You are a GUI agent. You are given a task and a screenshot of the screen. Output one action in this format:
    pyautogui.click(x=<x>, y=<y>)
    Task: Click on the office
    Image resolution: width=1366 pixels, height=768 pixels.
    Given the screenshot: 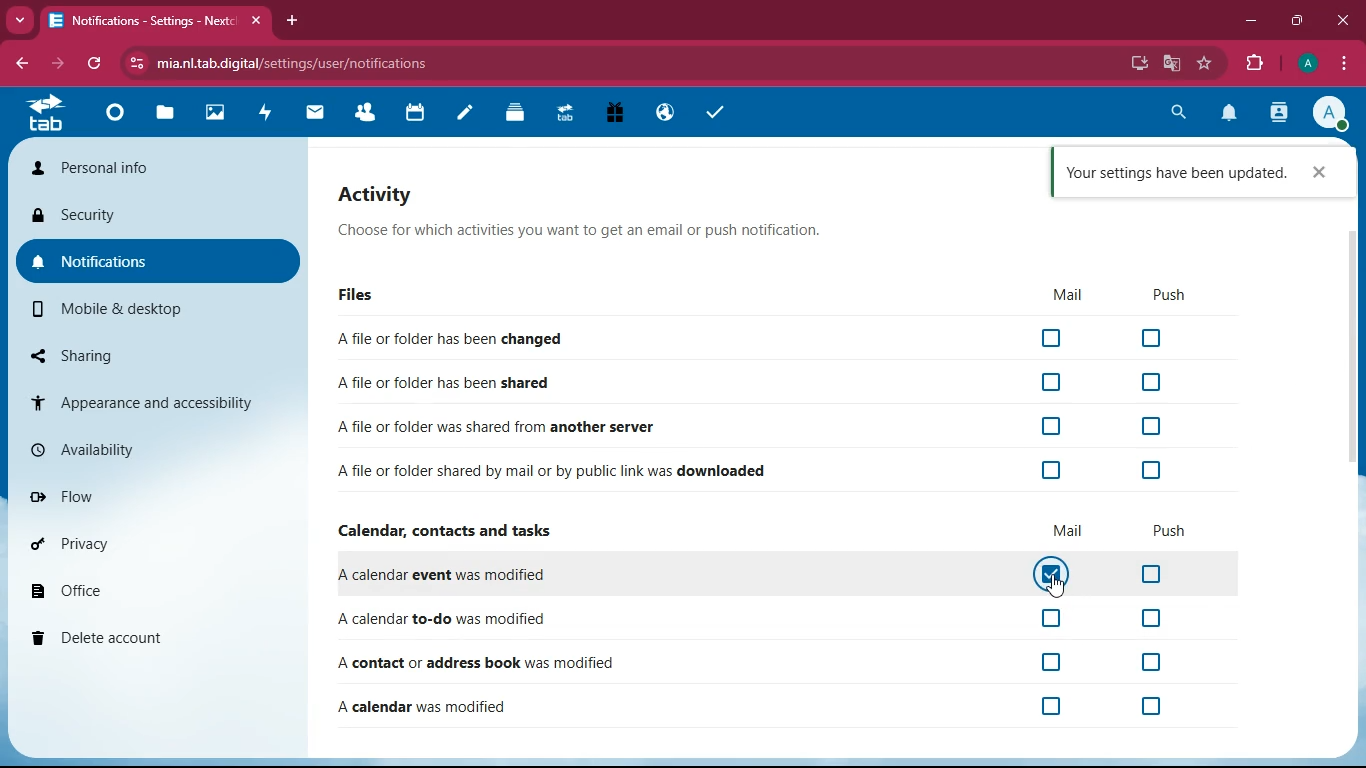 What is the action you would take?
    pyautogui.click(x=157, y=588)
    